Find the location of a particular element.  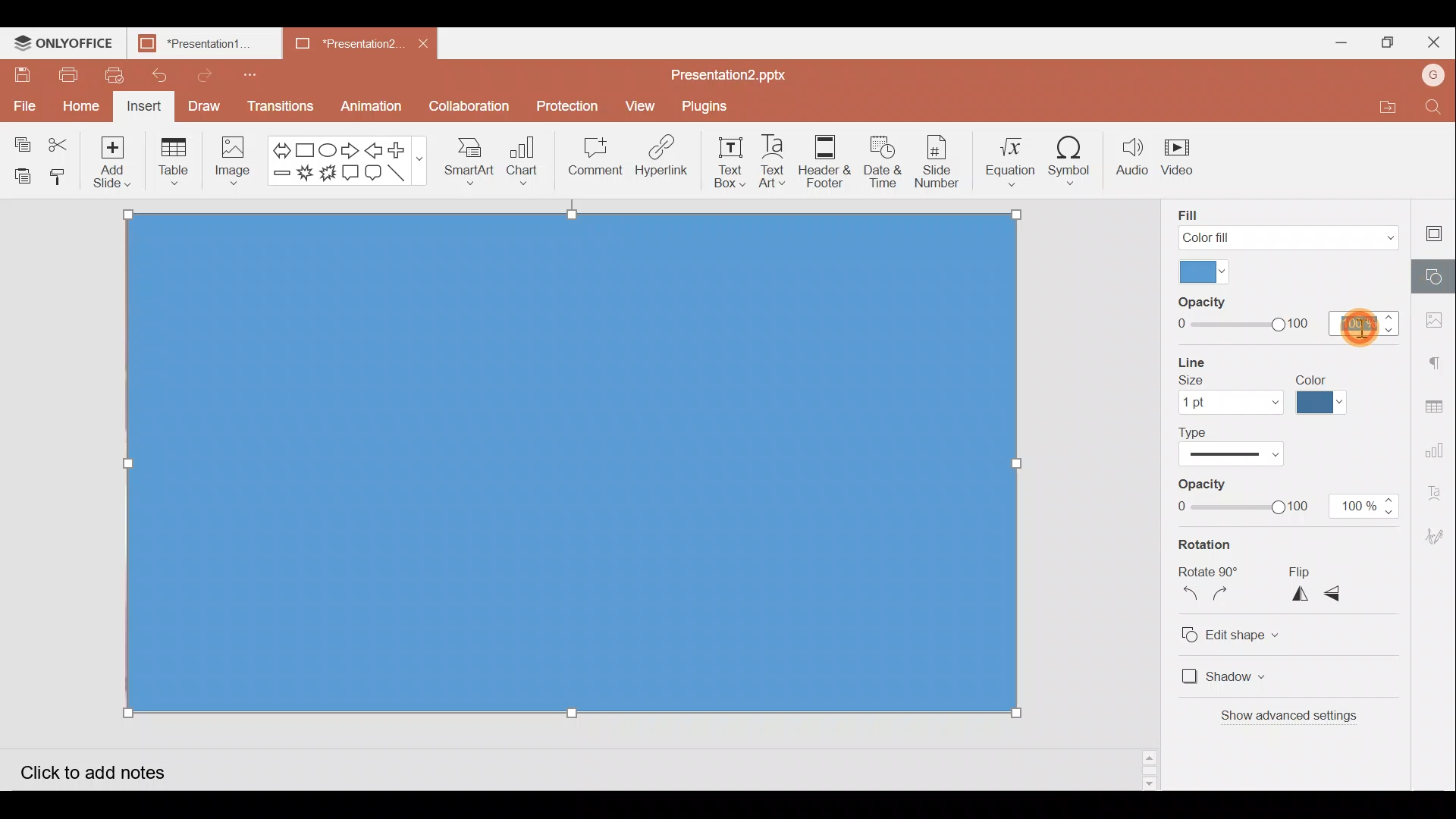

Paragraph settings is located at coordinates (1441, 357).